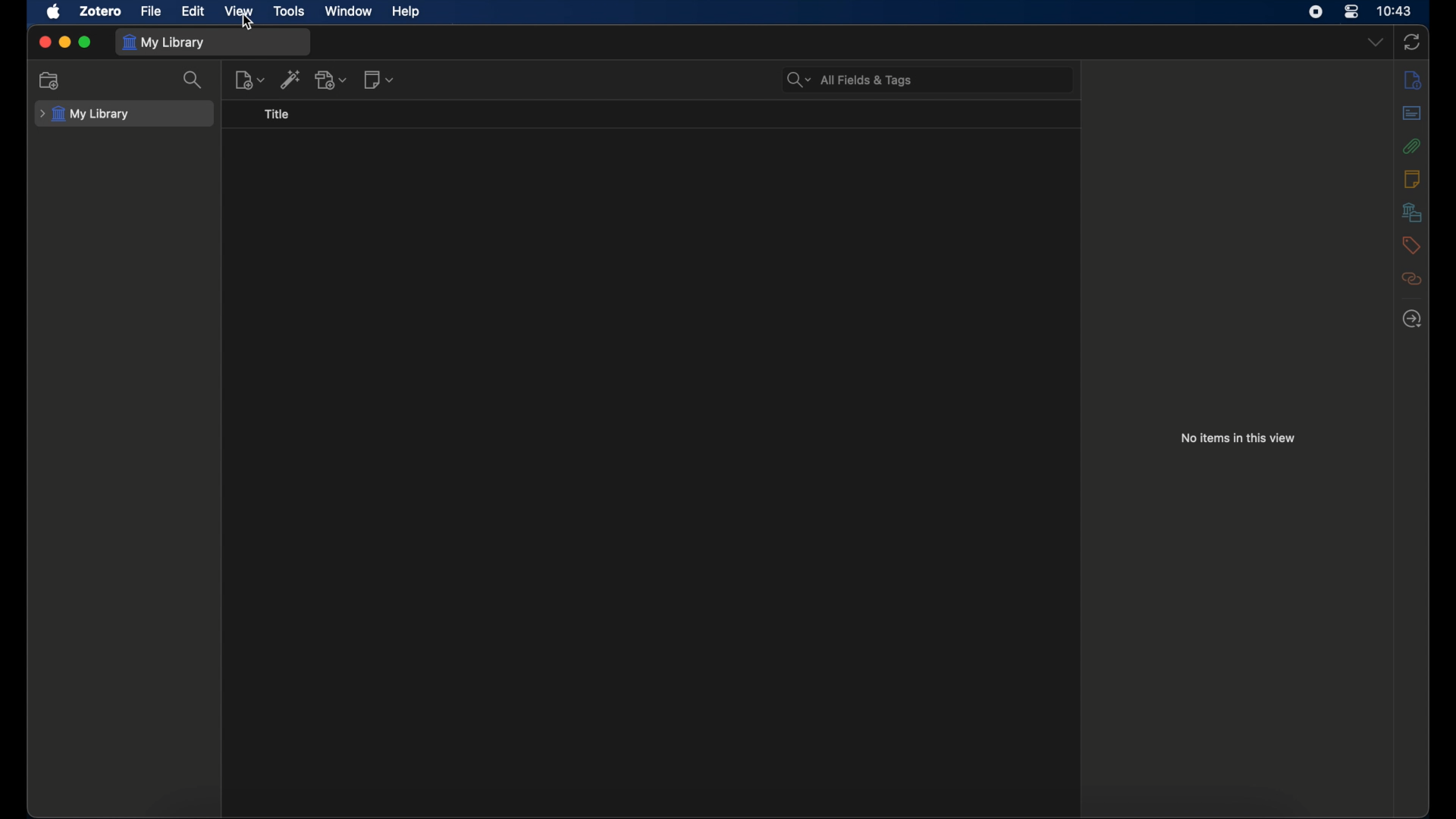  Describe the element at coordinates (1396, 10) in the screenshot. I see `time` at that location.